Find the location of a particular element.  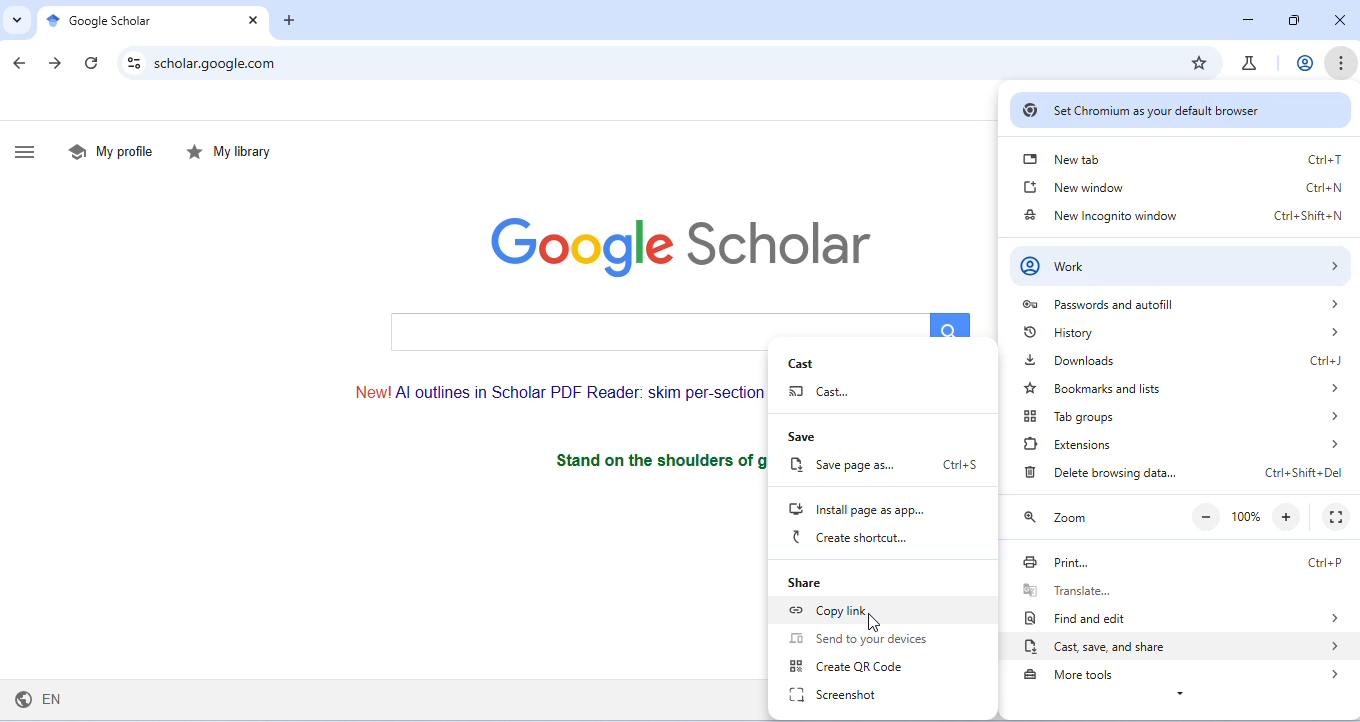

close tab is located at coordinates (251, 20).